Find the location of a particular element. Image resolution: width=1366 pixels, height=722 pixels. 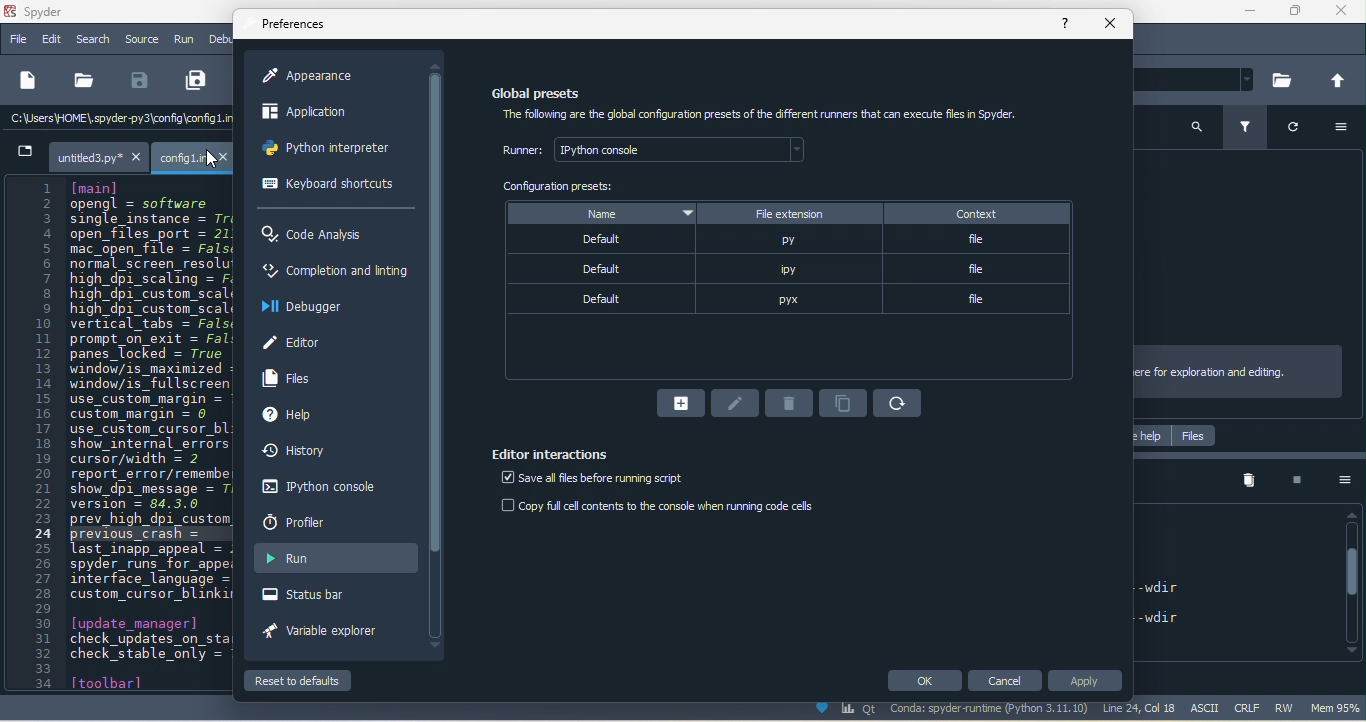

rw is located at coordinates (1290, 707).